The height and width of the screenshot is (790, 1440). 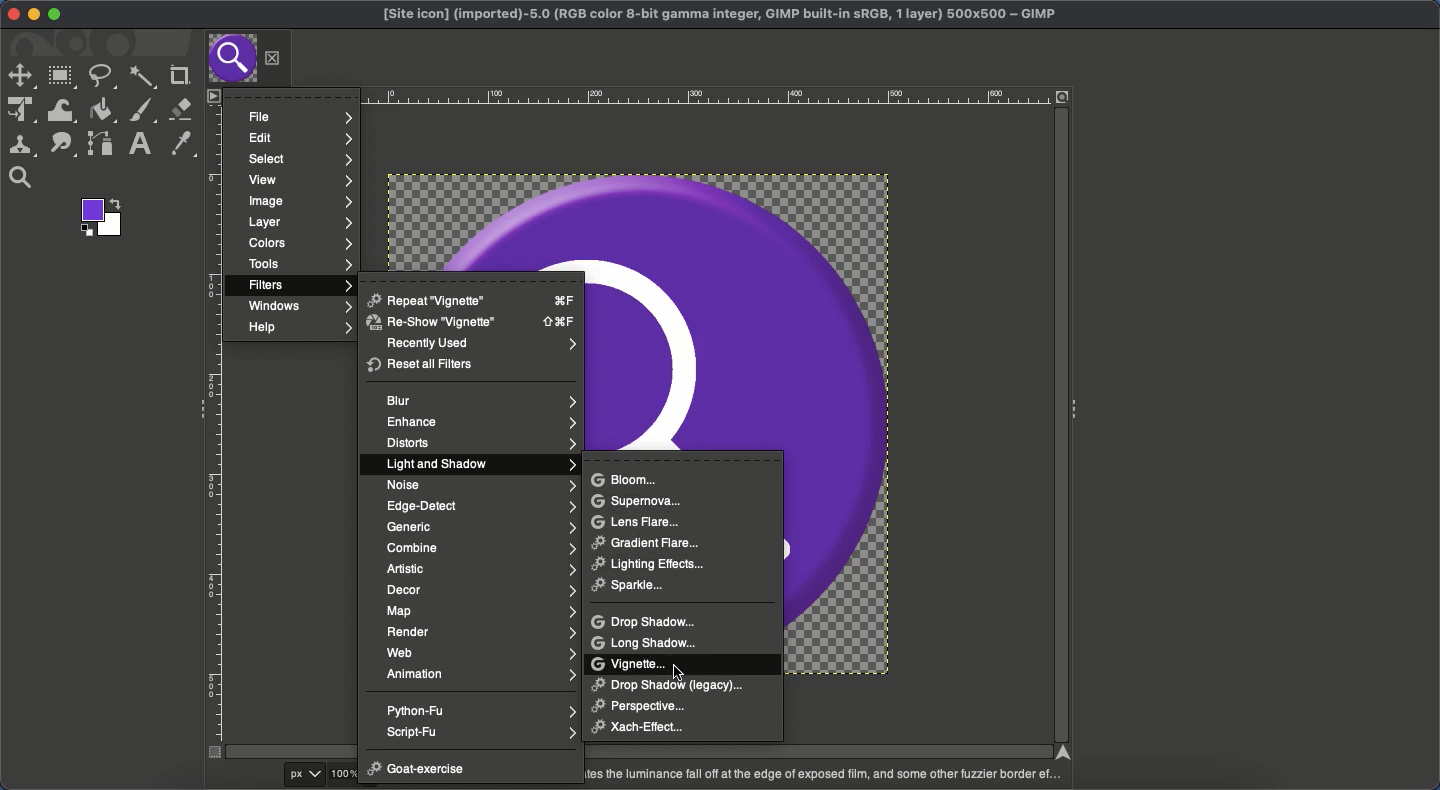 I want to click on Ruler, so click(x=633, y=96).